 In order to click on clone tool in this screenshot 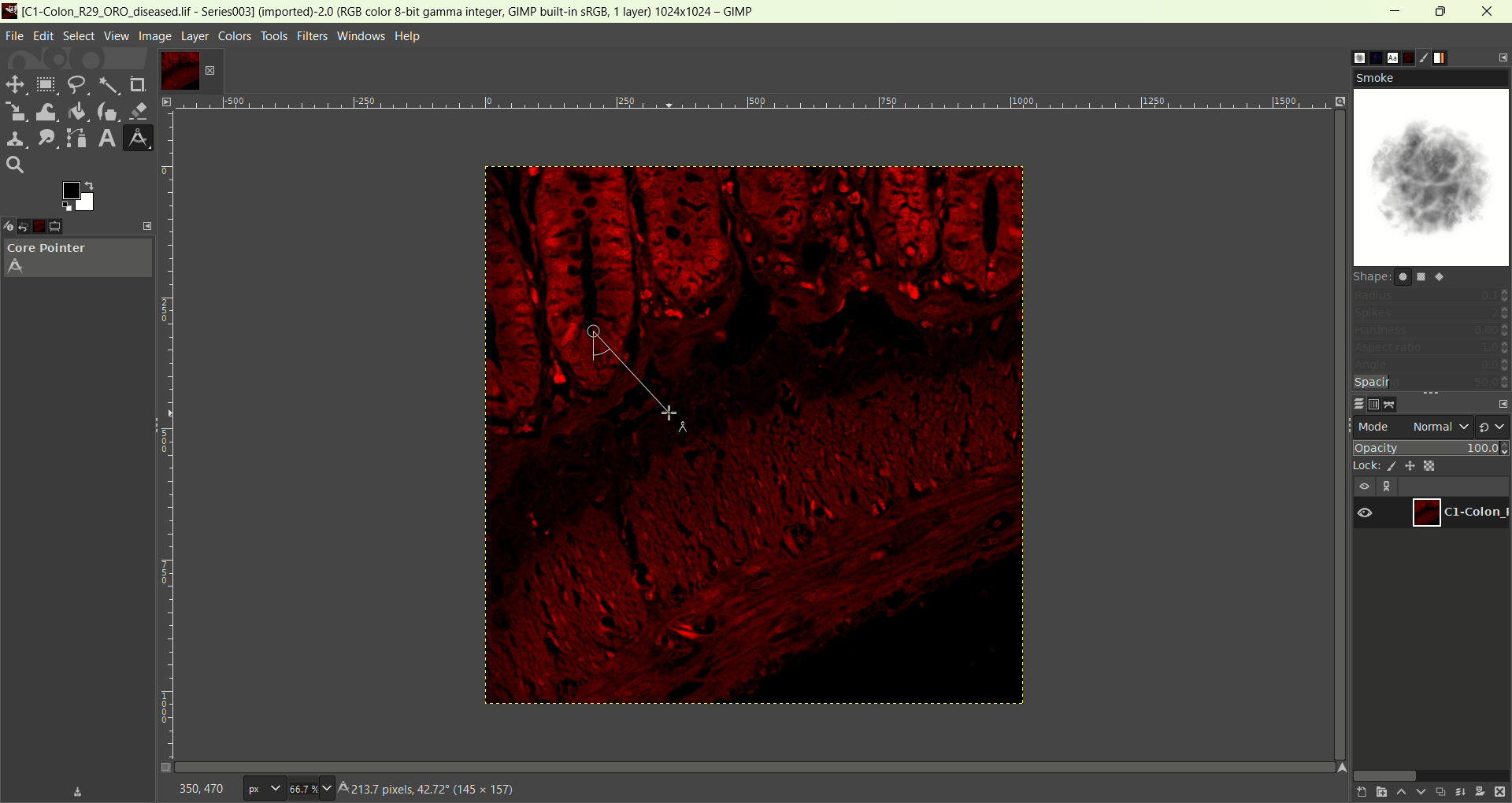, I will do `click(13, 139)`.